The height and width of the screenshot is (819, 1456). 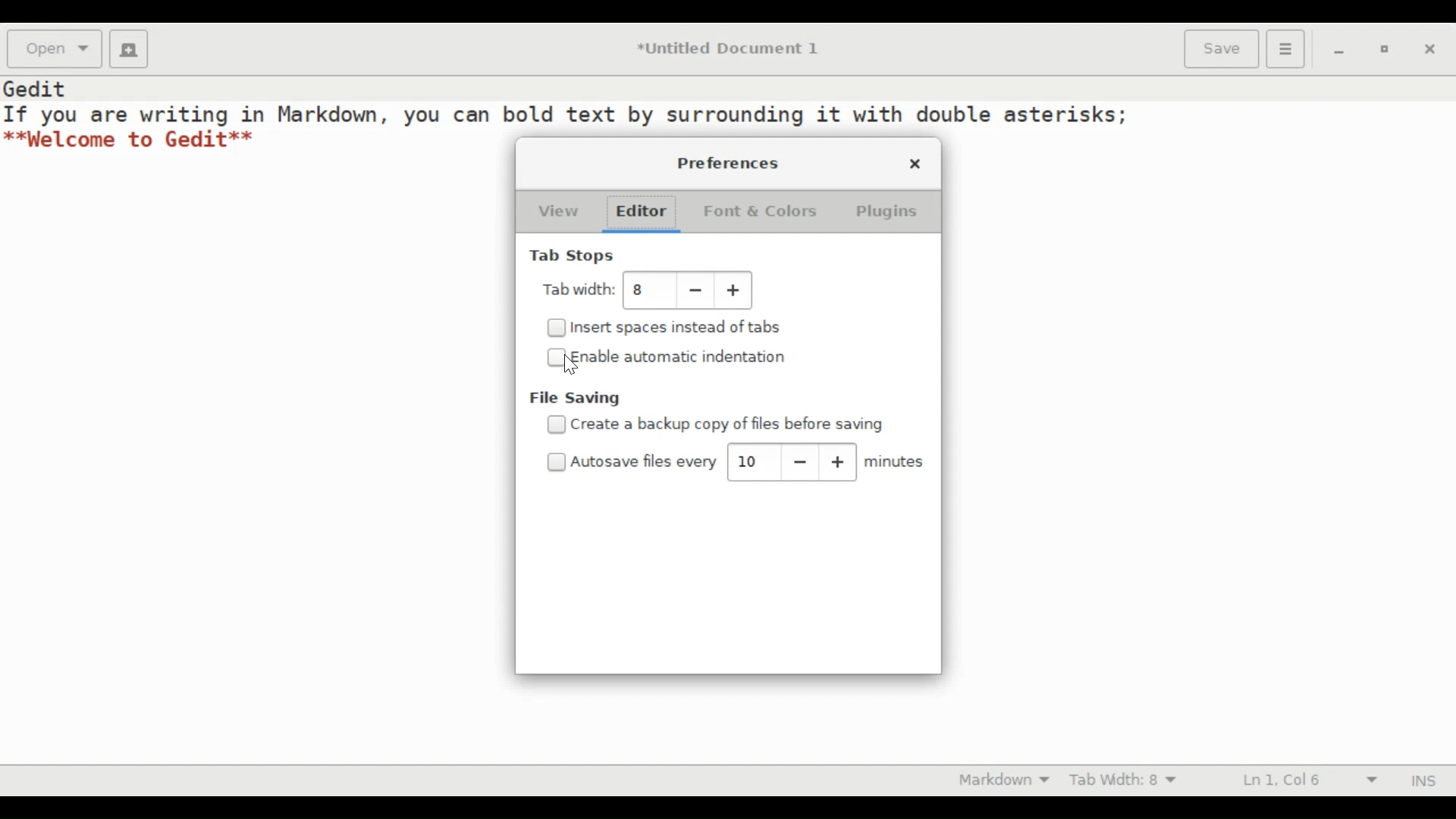 What do you see at coordinates (577, 290) in the screenshot?
I see `Tab Width` at bounding box center [577, 290].